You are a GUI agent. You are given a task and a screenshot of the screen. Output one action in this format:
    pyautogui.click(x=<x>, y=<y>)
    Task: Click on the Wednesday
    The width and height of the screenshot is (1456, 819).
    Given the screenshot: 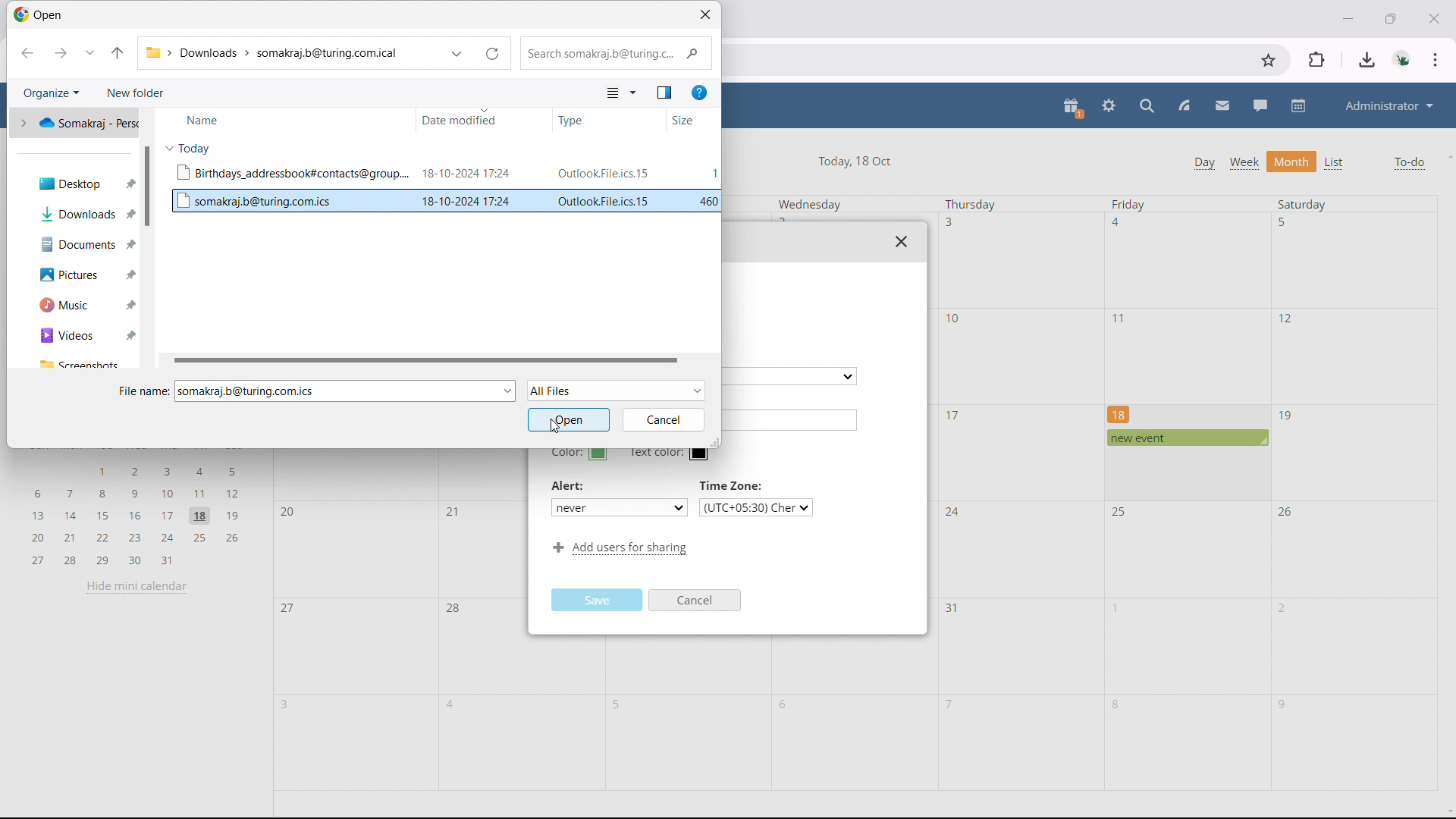 What is the action you would take?
    pyautogui.click(x=810, y=205)
    